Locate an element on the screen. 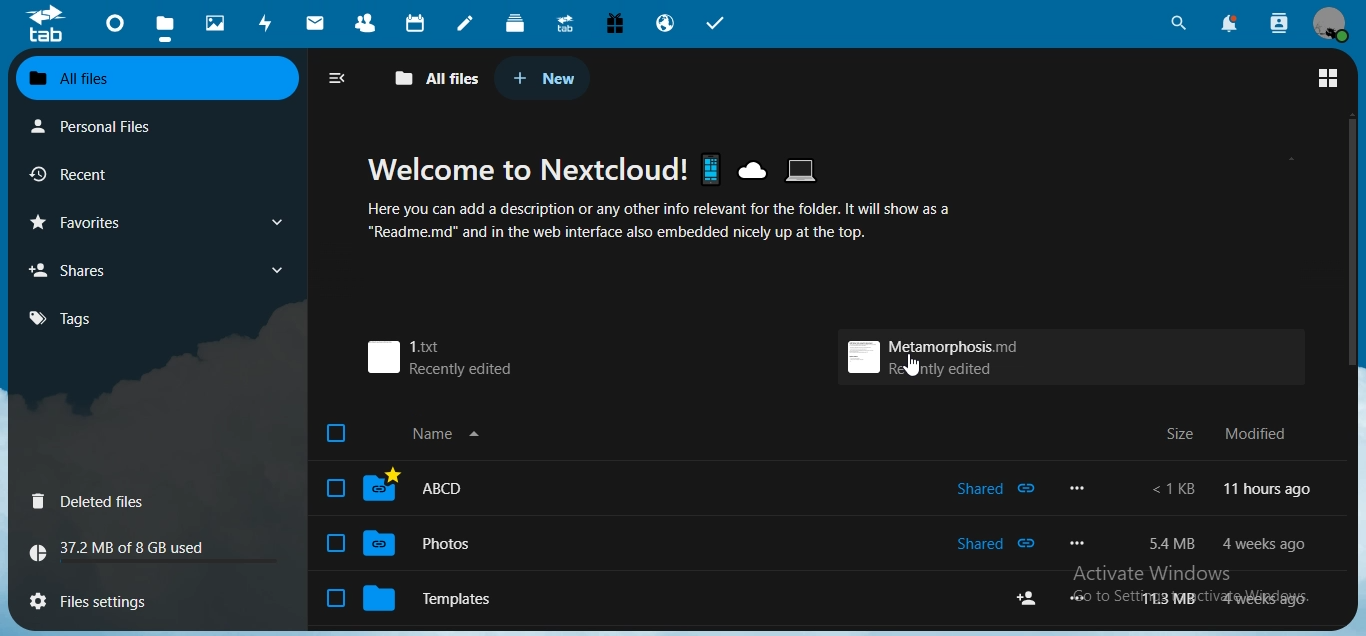 The width and height of the screenshot is (1366, 636). view profile is located at coordinates (1328, 25).